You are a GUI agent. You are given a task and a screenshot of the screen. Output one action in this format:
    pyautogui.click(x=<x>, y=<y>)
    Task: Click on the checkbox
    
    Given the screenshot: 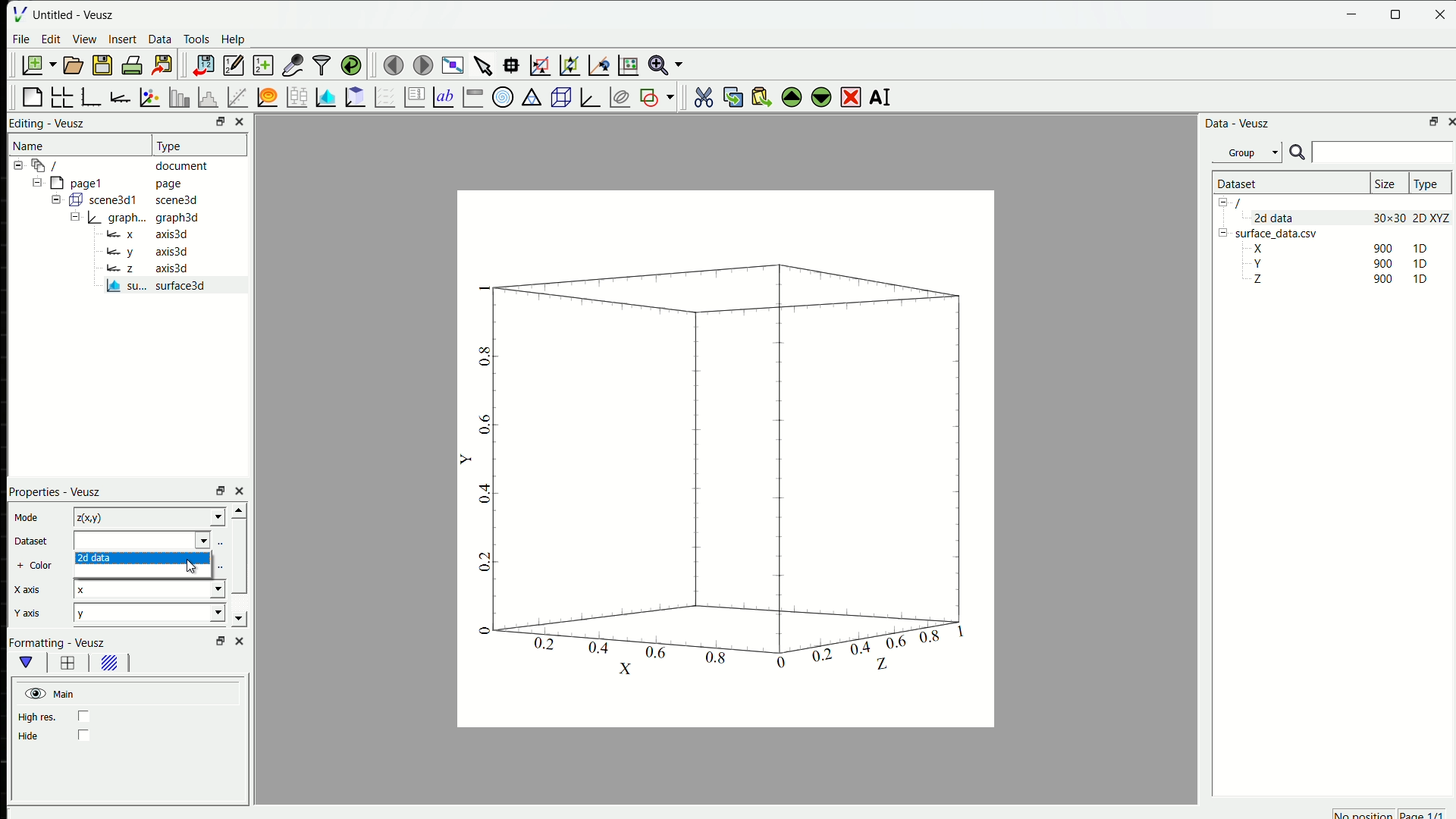 What is the action you would take?
    pyautogui.click(x=85, y=716)
    